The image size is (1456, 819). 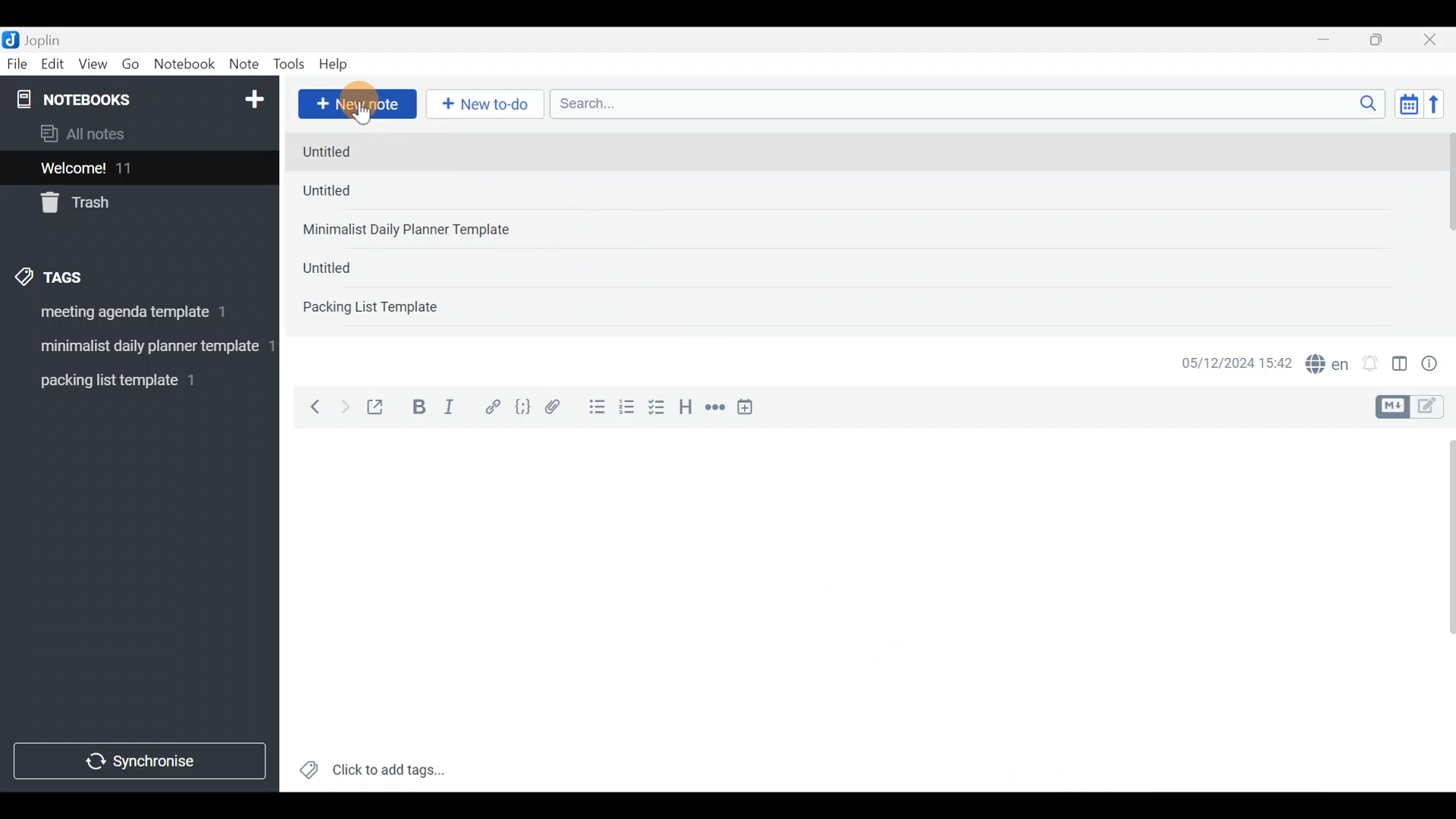 I want to click on Italic, so click(x=447, y=410).